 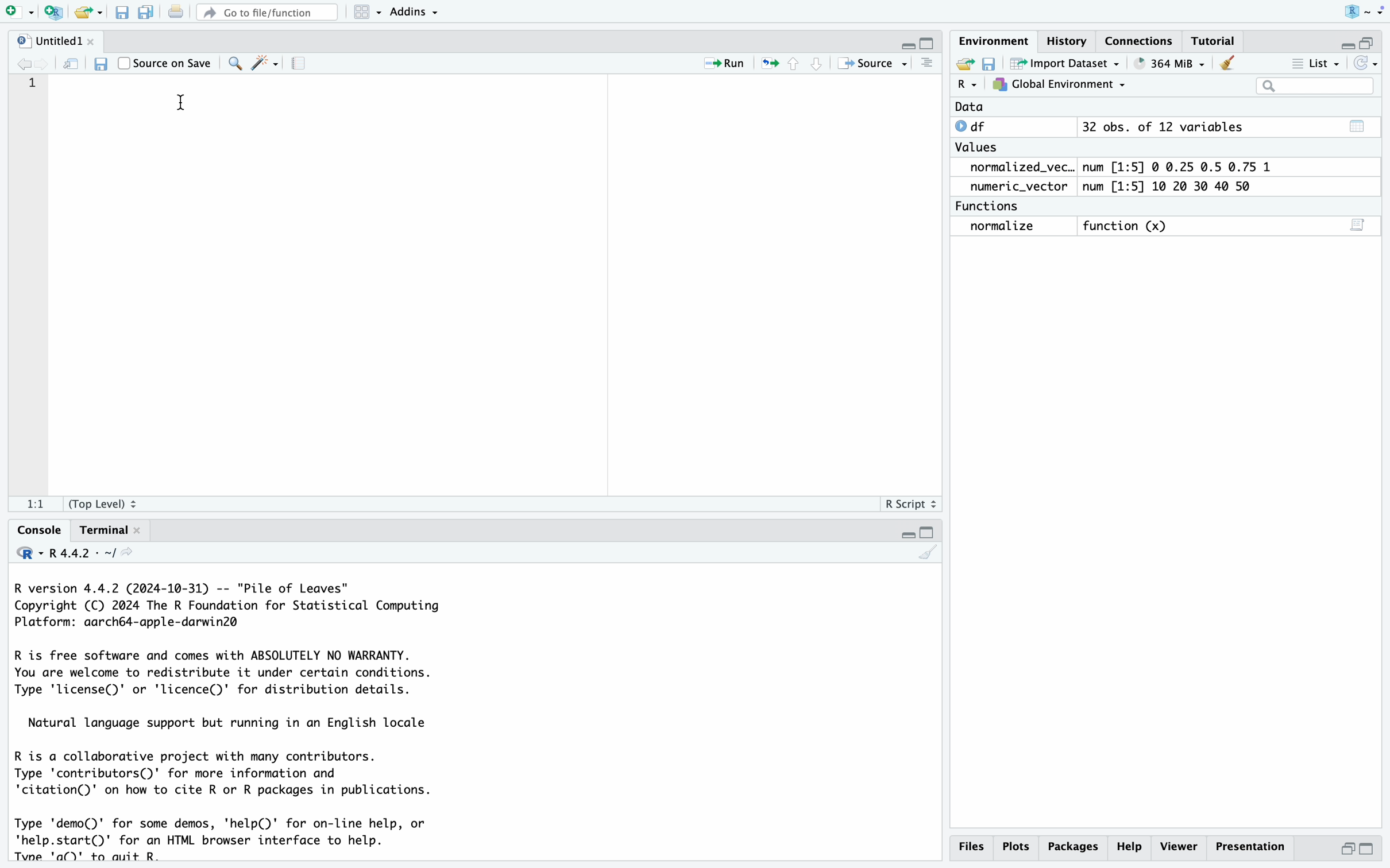 What do you see at coordinates (1314, 87) in the screenshot?
I see `Search Bar` at bounding box center [1314, 87].